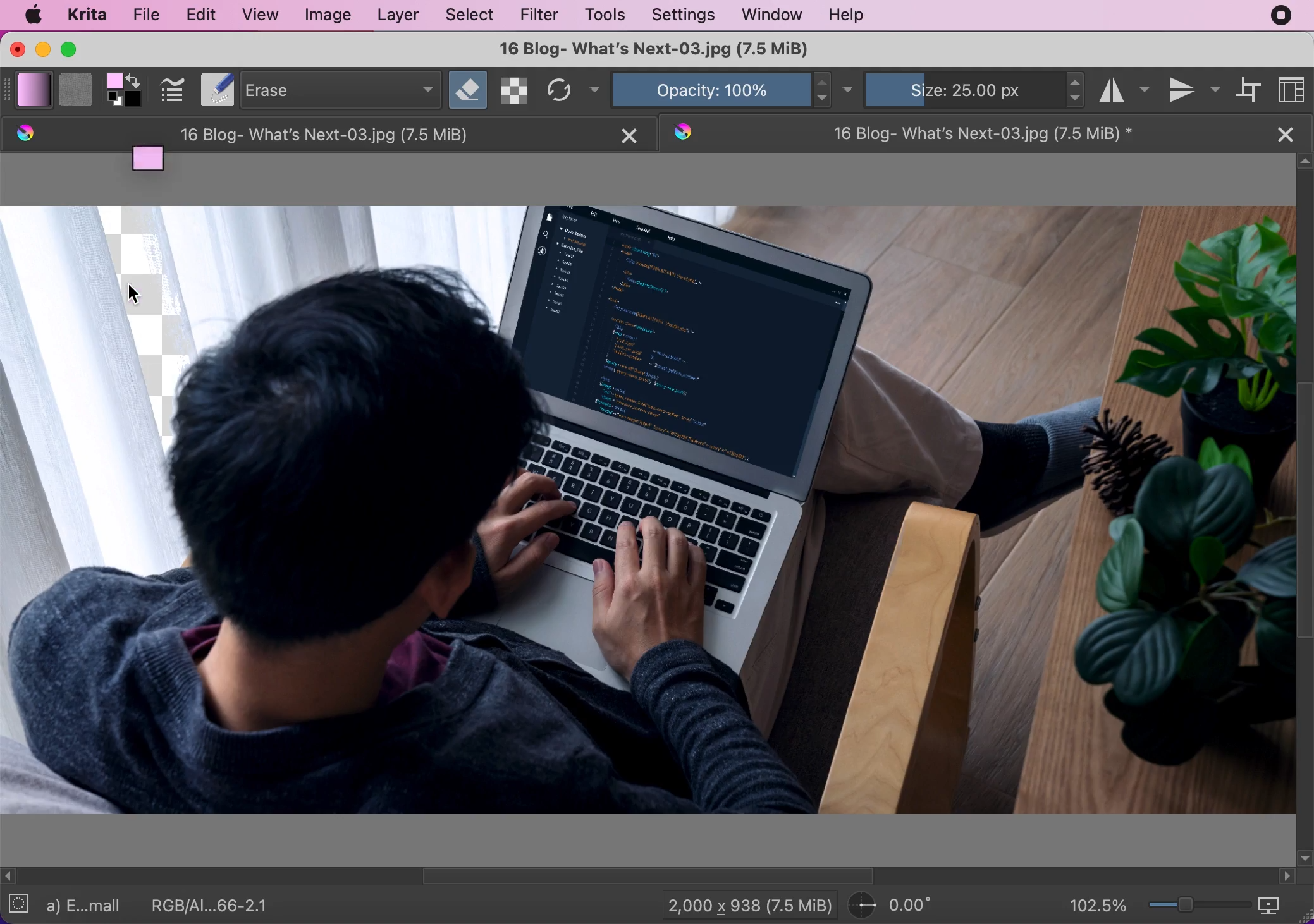  Describe the element at coordinates (1191, 90) in the screenshot. I see `vertical mirror tool` at that location.